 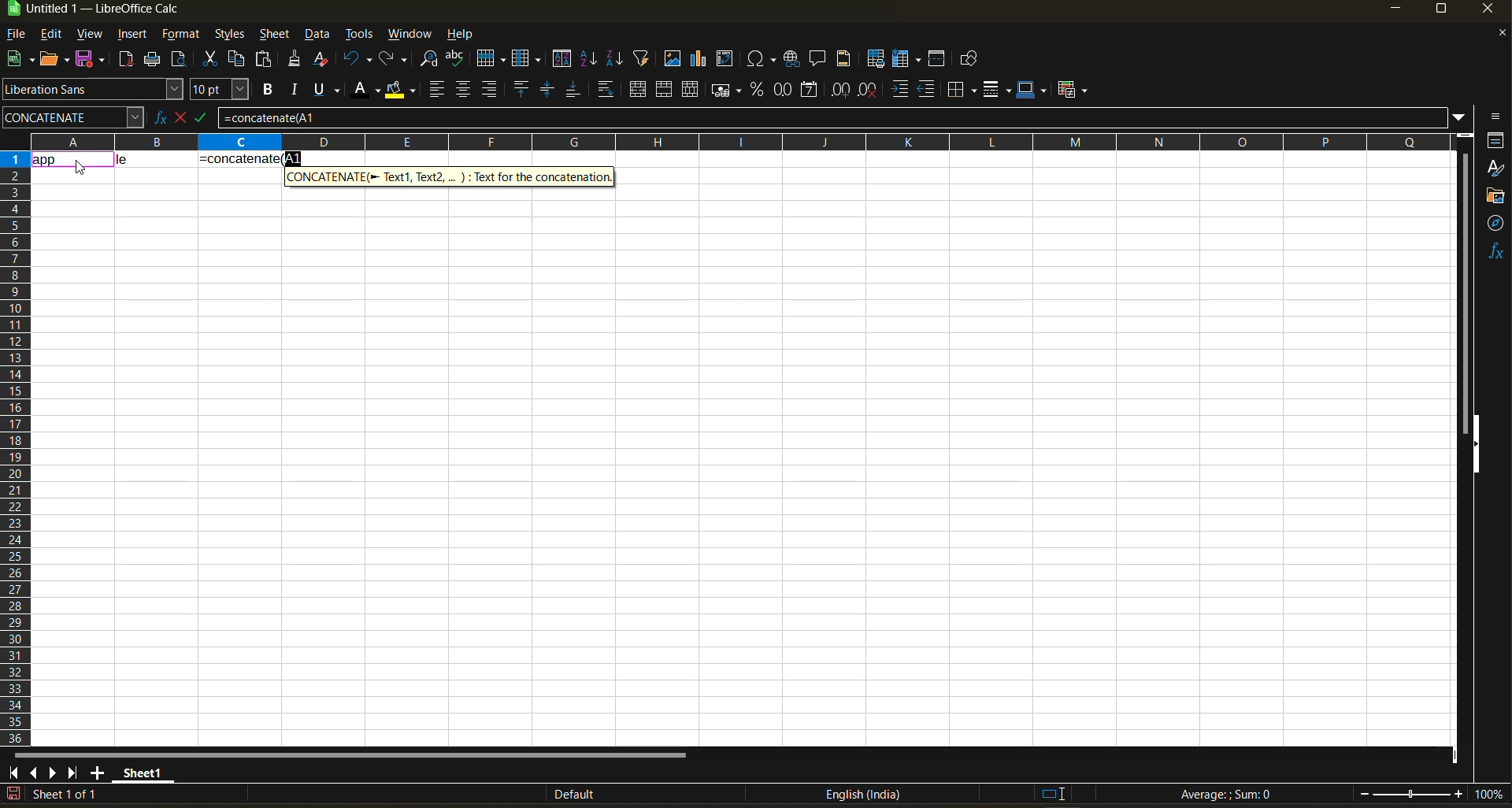 What do you see at coordinates (692, 90) in the screenshot?
I see `unmerge cells` at bounding box center [692, 90].